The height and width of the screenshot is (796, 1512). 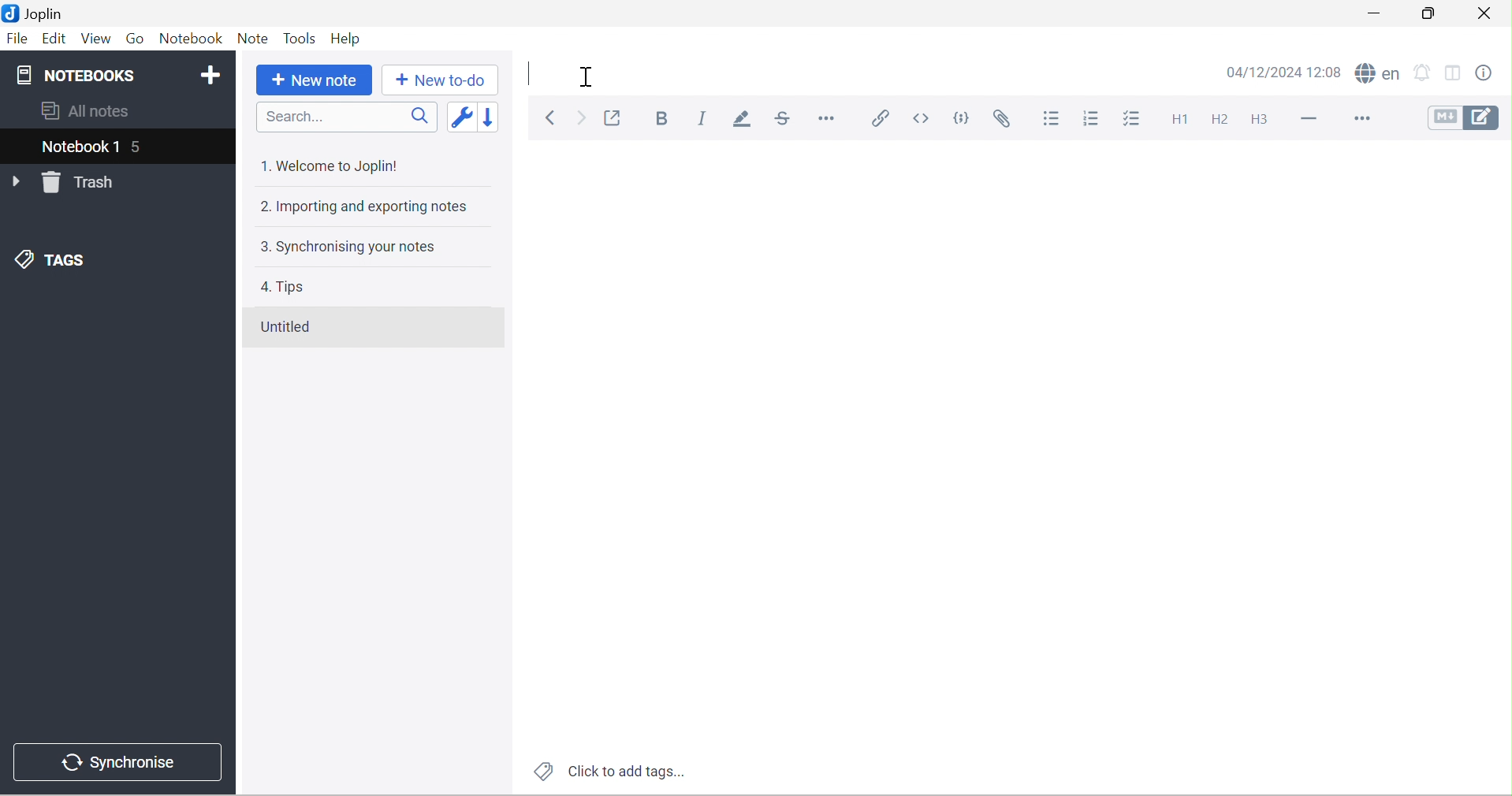 I want to click on 3. Synchronising your notes, so click(x=357, y=247).